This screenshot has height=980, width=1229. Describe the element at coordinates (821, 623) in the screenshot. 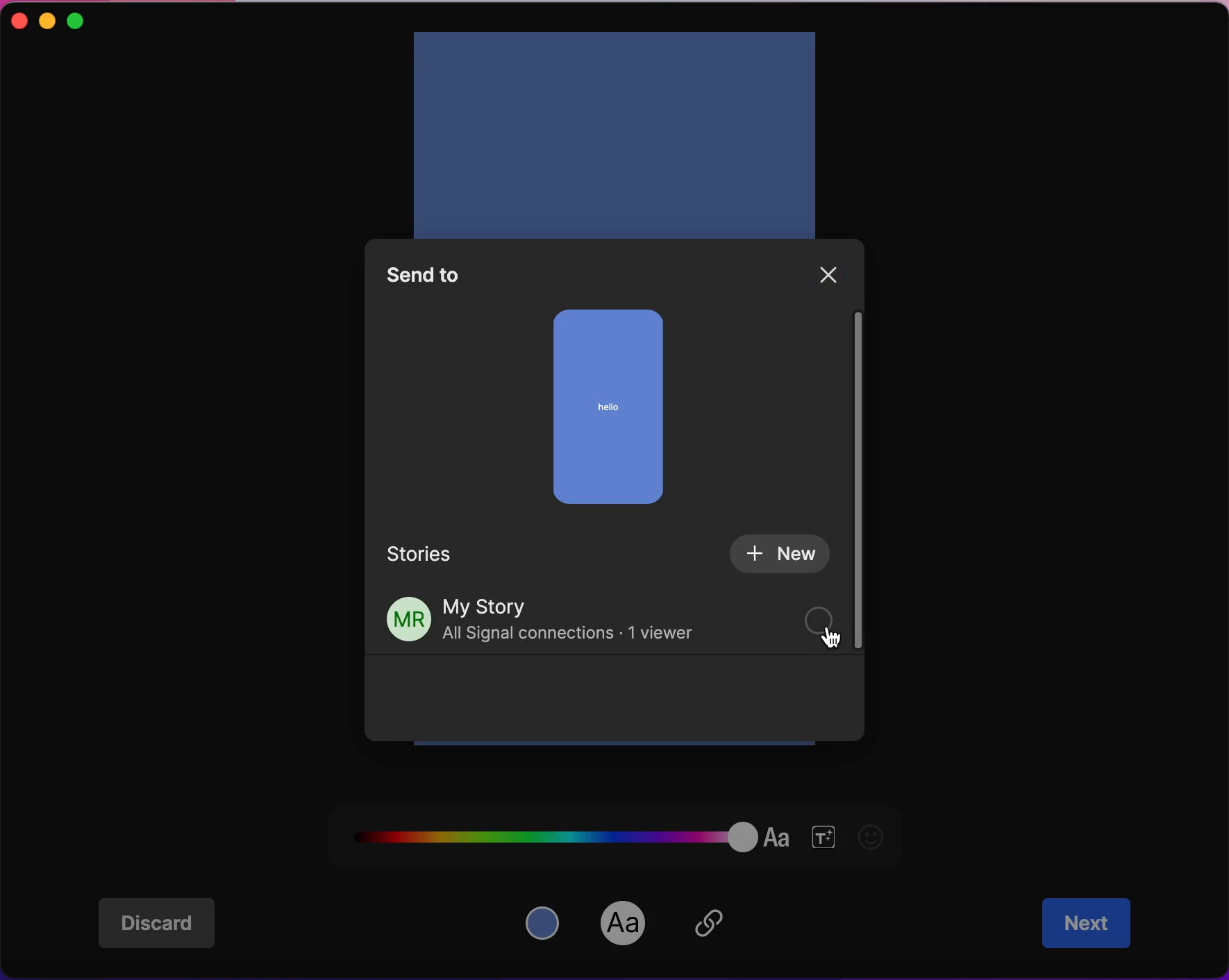

I see `check box` at that location.